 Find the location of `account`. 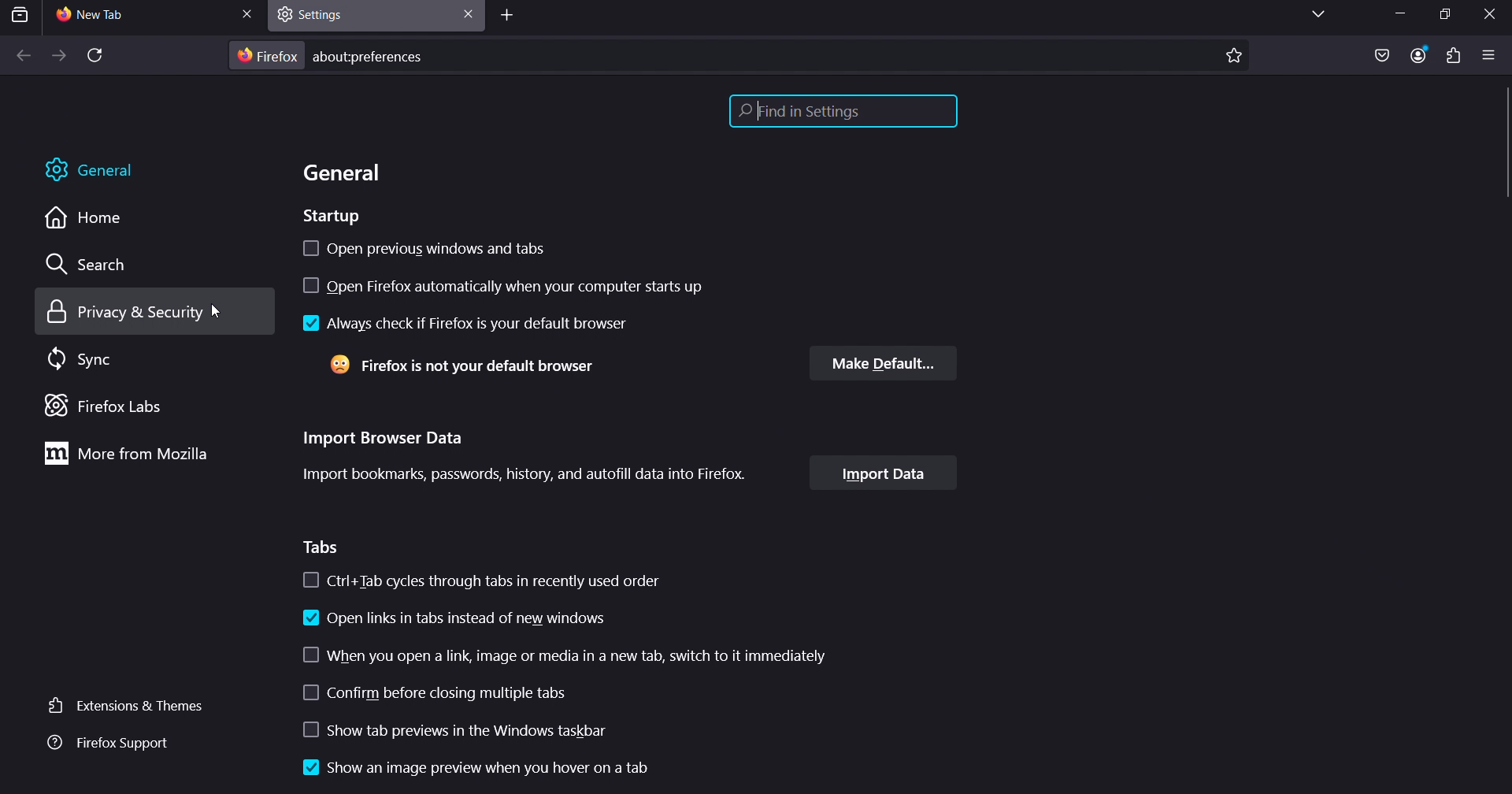

account is located at coordinates (1418, 54).